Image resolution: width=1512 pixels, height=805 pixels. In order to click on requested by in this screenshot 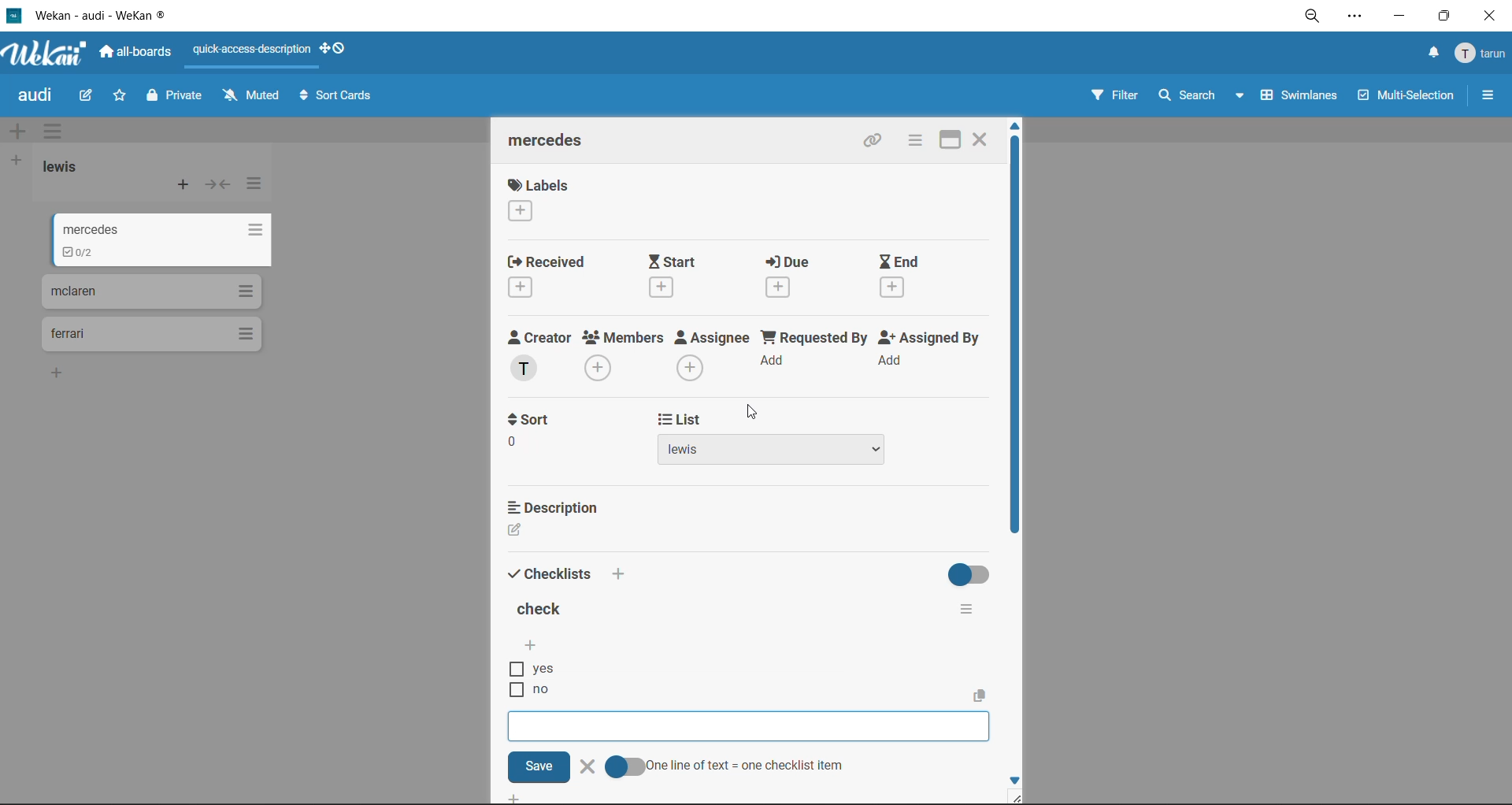, I will do `click(816, 354)`.